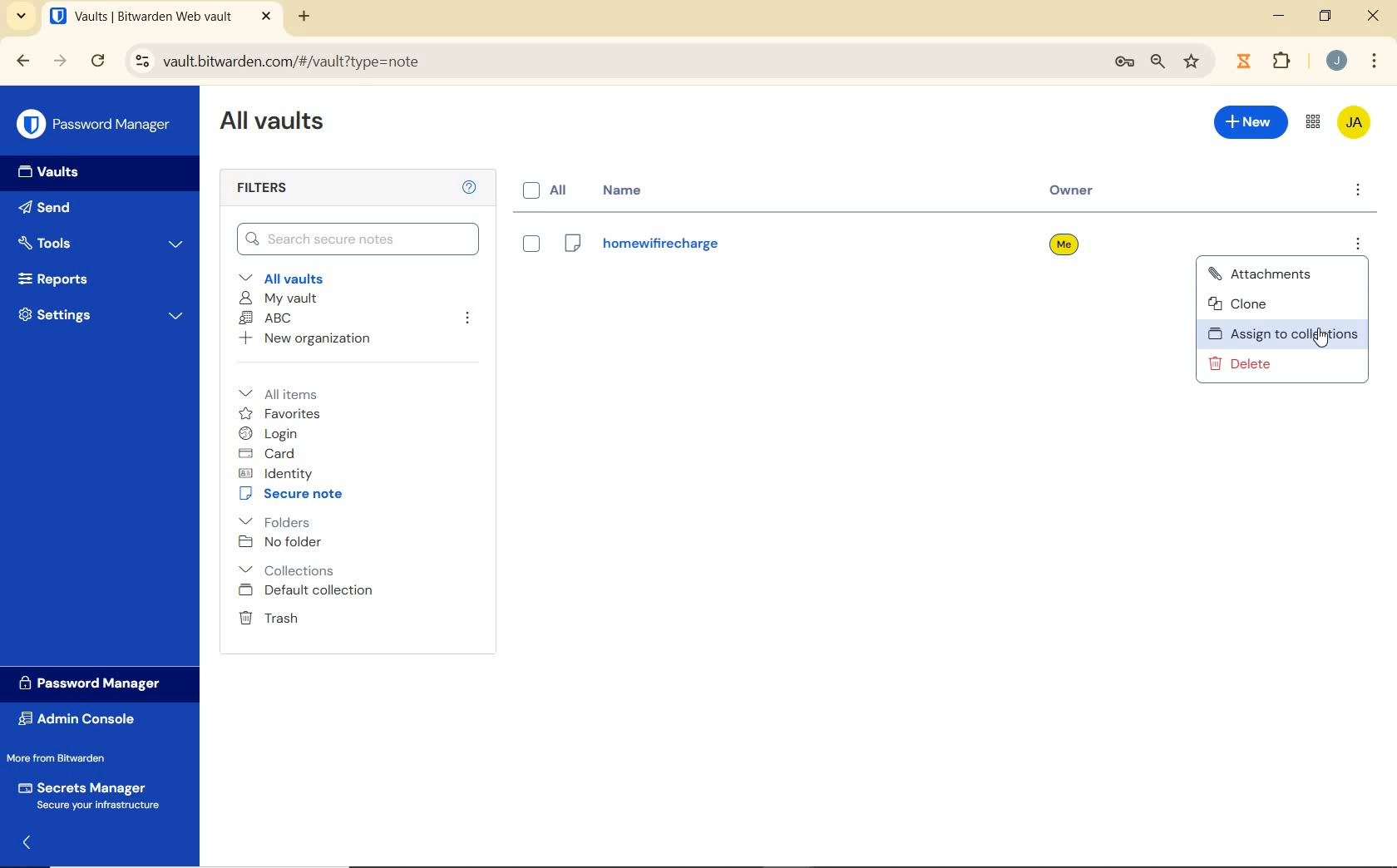  Describe the element at coordinates (306, 338) in the screenshot. I see `New organization` at that location.